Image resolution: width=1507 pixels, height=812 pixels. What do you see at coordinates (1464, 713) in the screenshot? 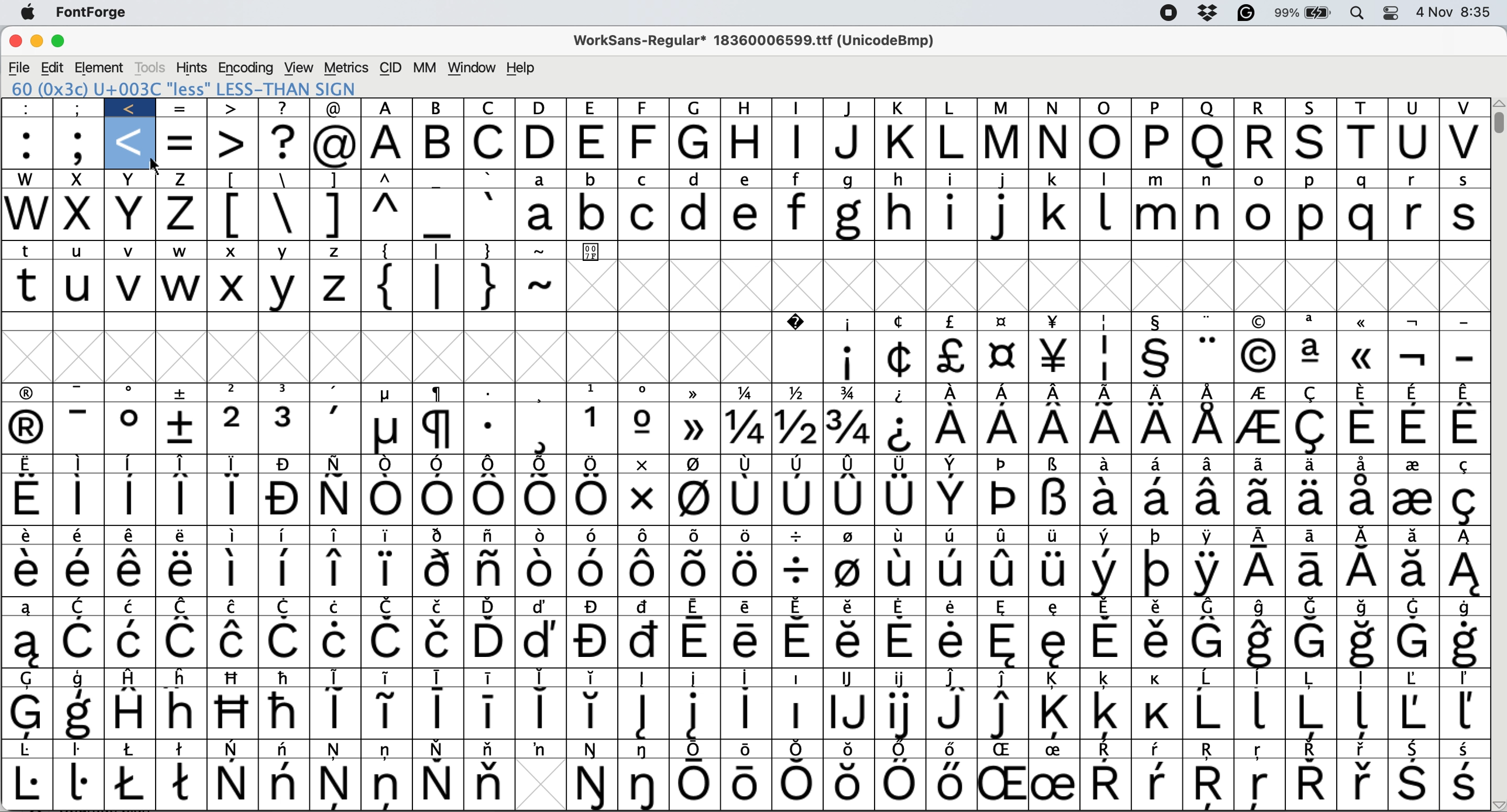
I see `Symbol` at bounding box center [1464, 713].